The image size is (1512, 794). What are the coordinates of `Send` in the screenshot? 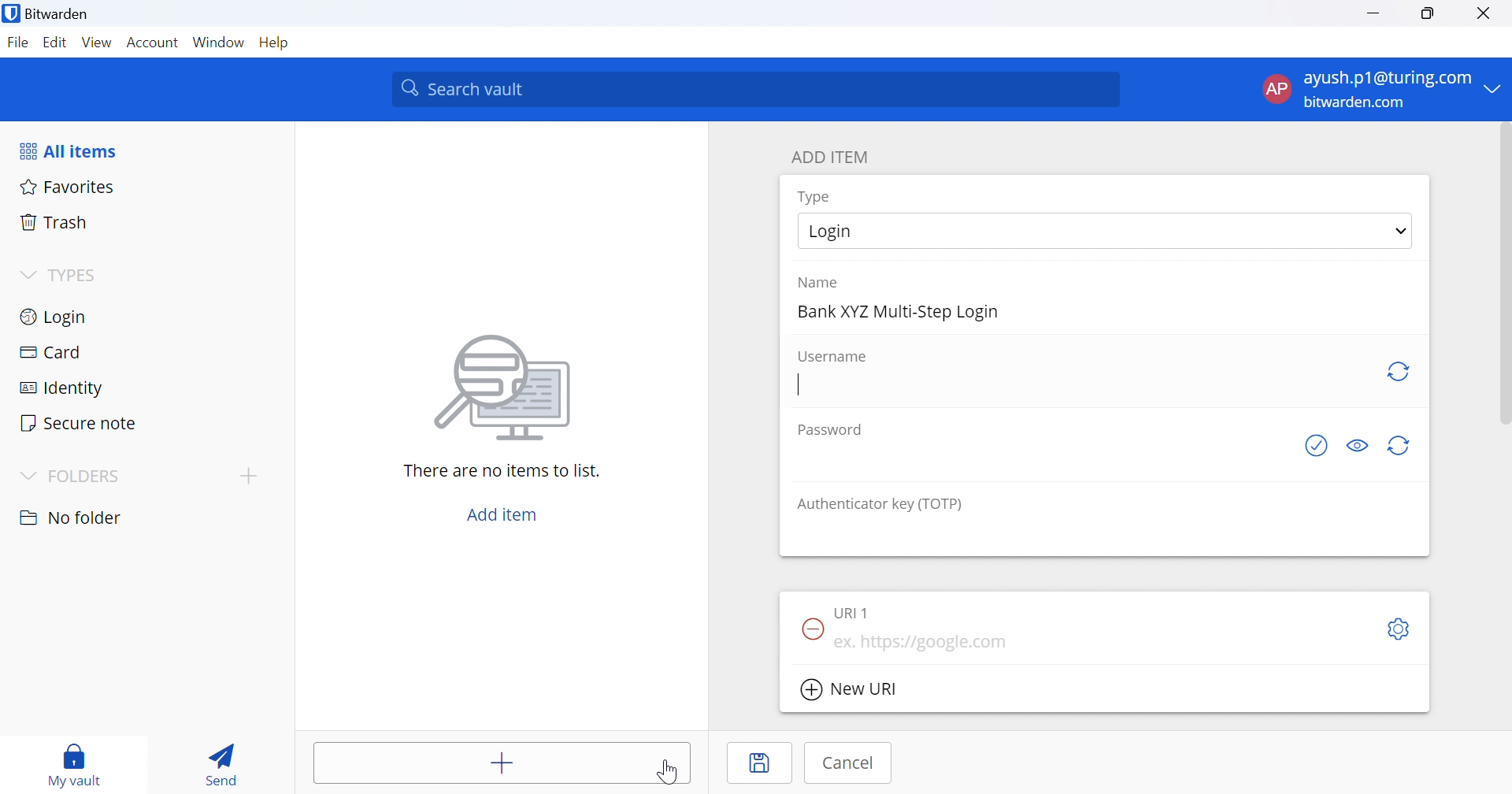 It's located at (224, 760).